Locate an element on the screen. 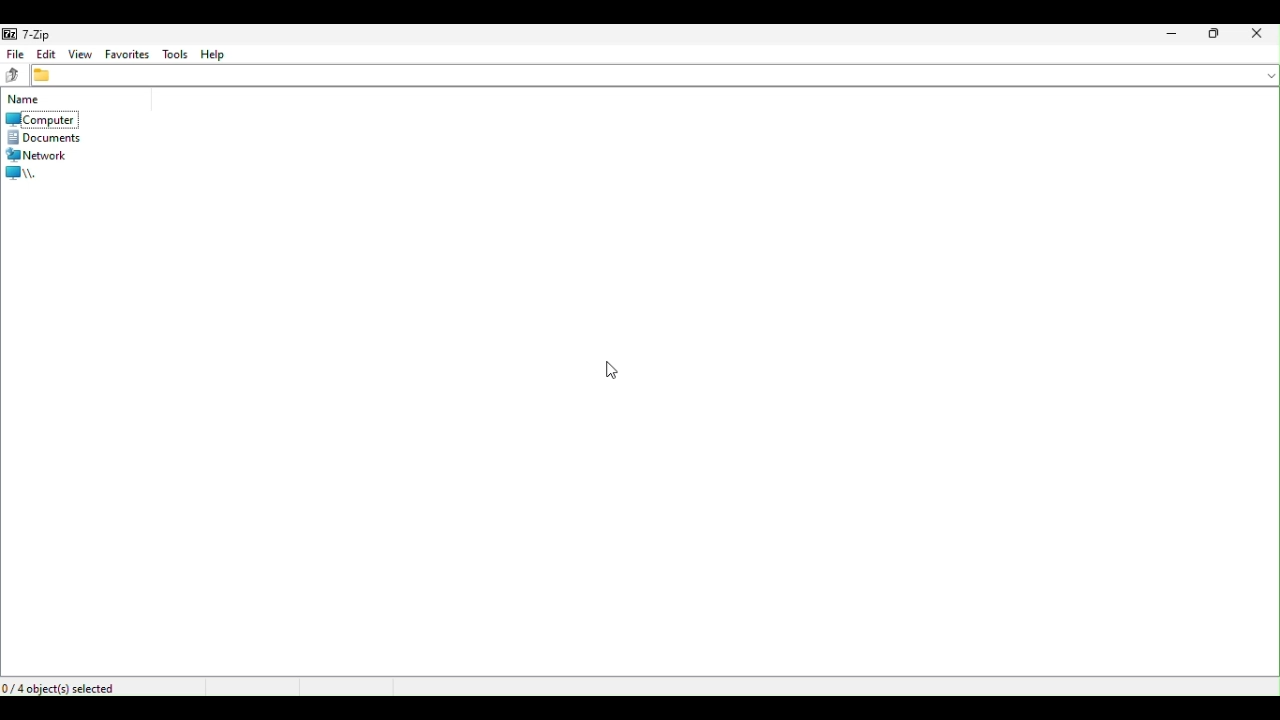 This screenshot has height=720, width=1280. help is located at coordinates (217, 56).